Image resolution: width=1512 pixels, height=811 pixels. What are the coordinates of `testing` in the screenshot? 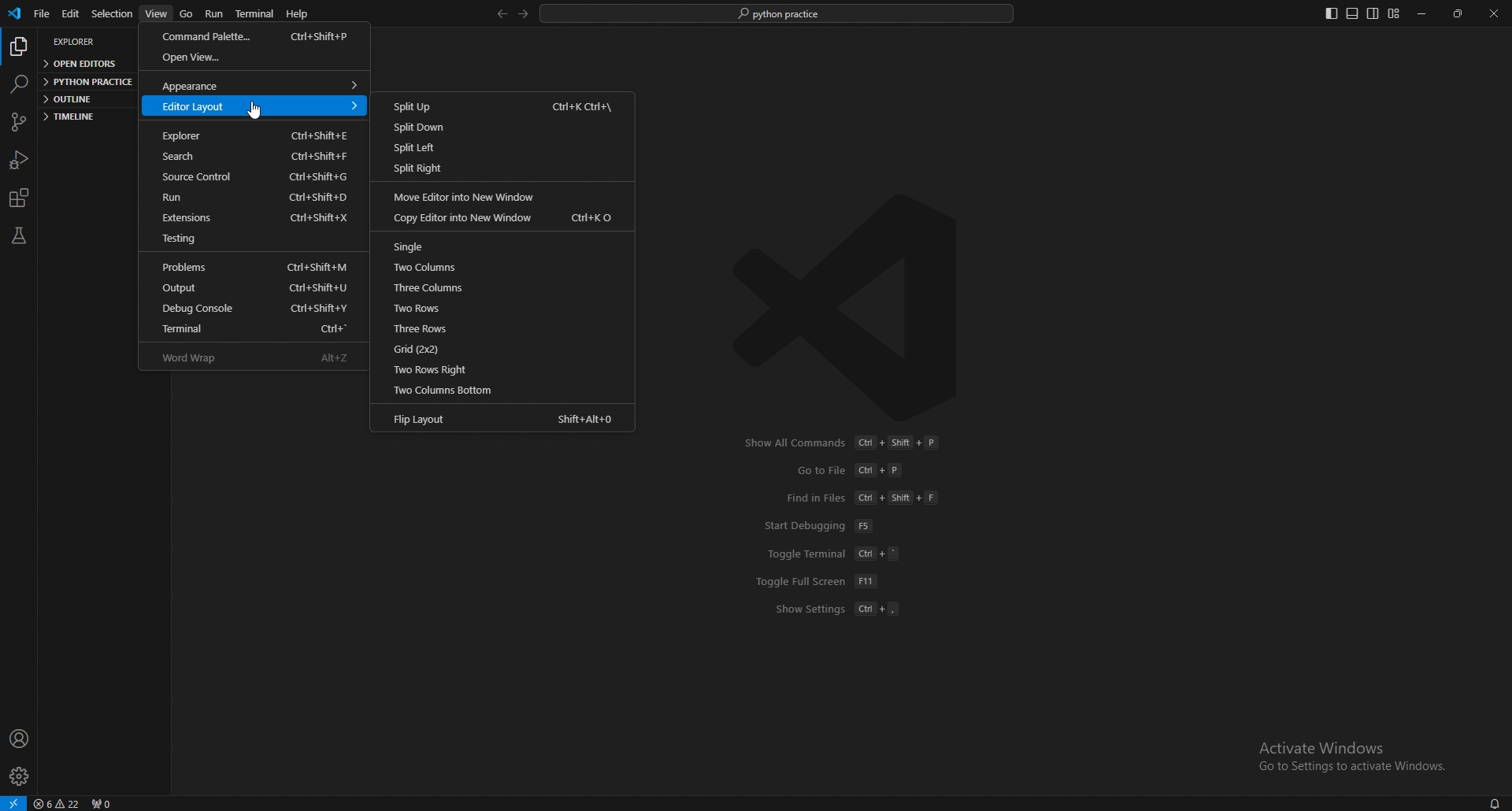 It's located at (18, 236).